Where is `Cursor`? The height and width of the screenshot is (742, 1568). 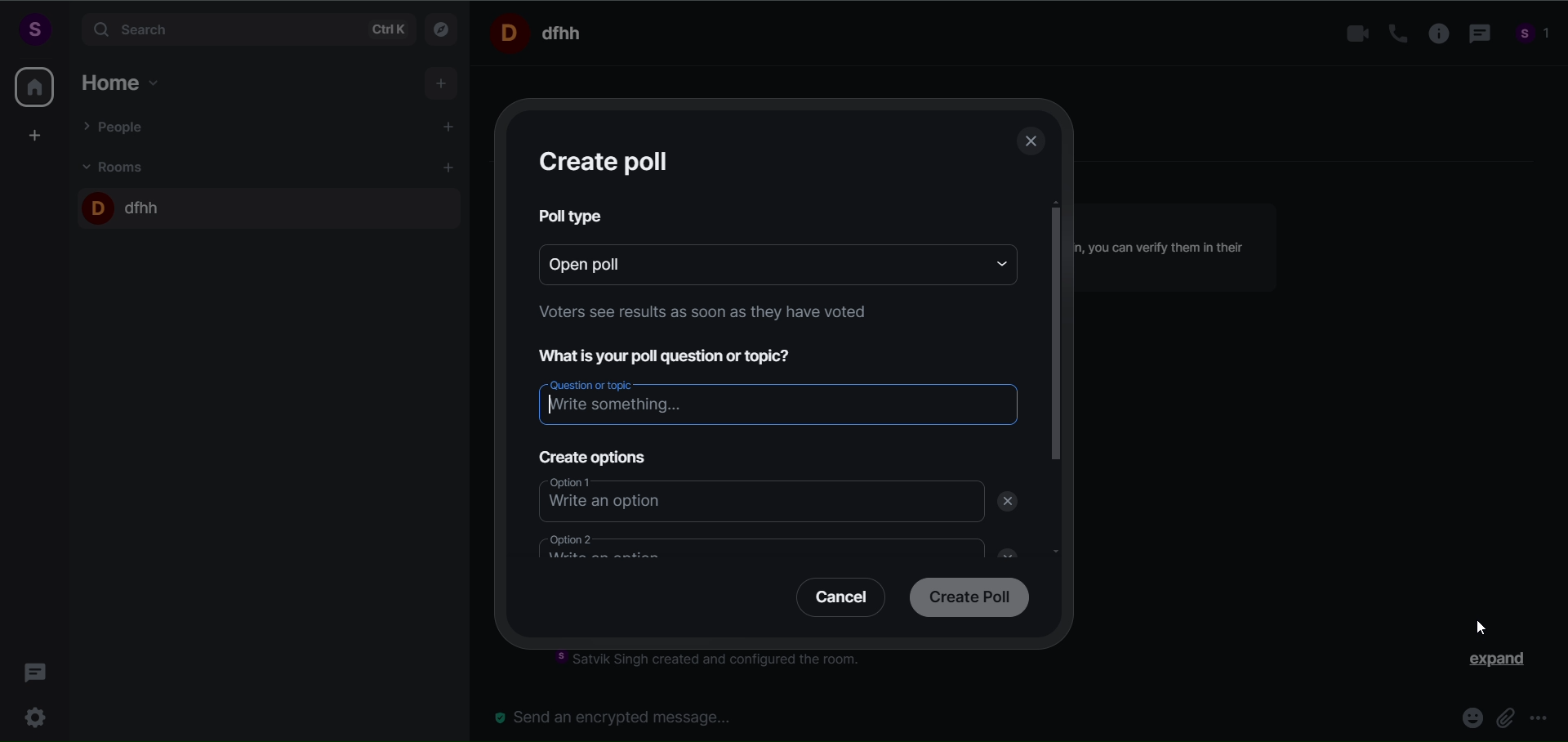 Cursor is located at coordinates (1477, 630).